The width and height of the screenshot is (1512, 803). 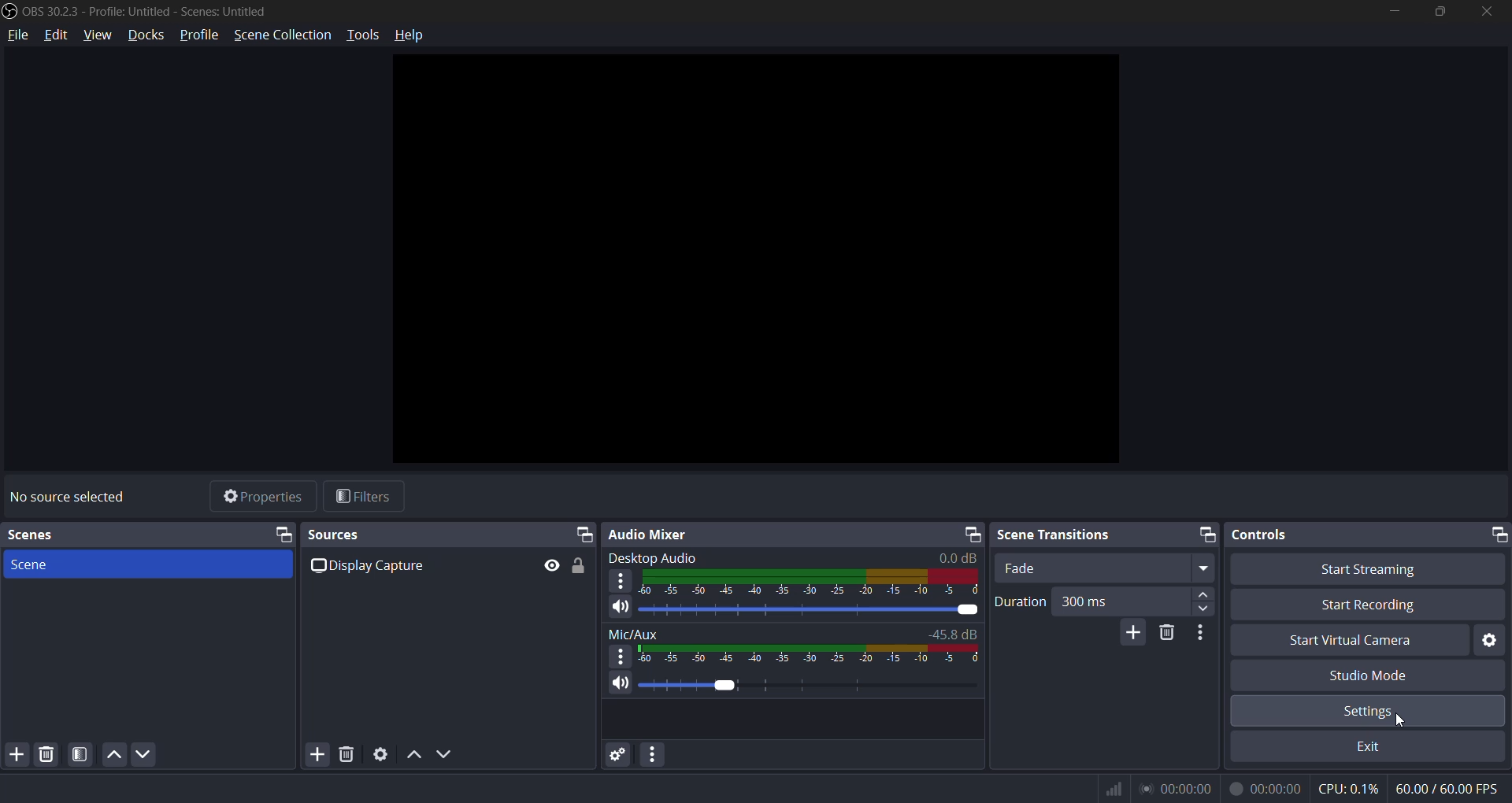 I want to click on no source selected, so click(x=65, y=497).